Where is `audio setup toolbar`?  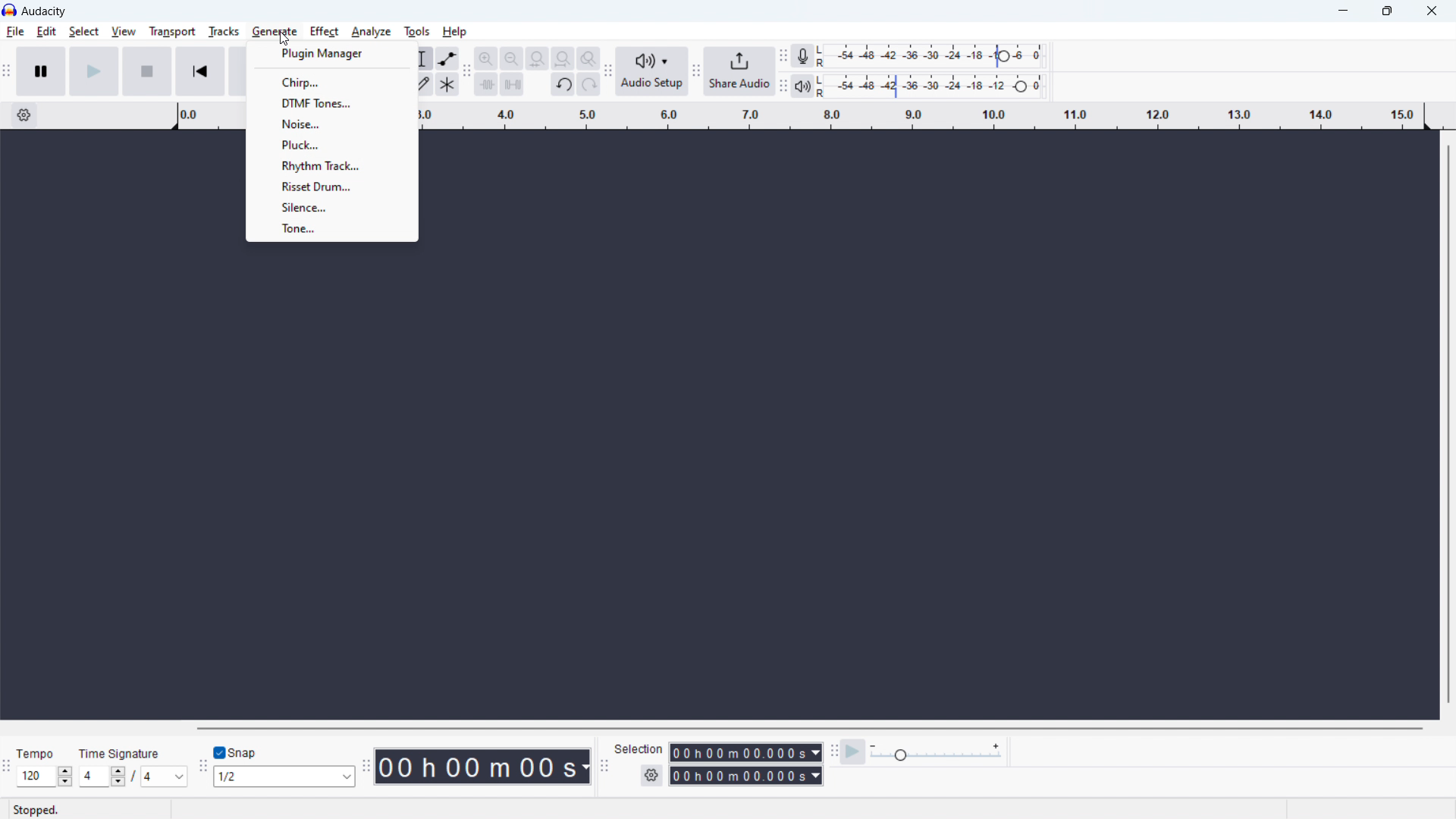
audio setup toolbar is located at coordinates (609, 71).